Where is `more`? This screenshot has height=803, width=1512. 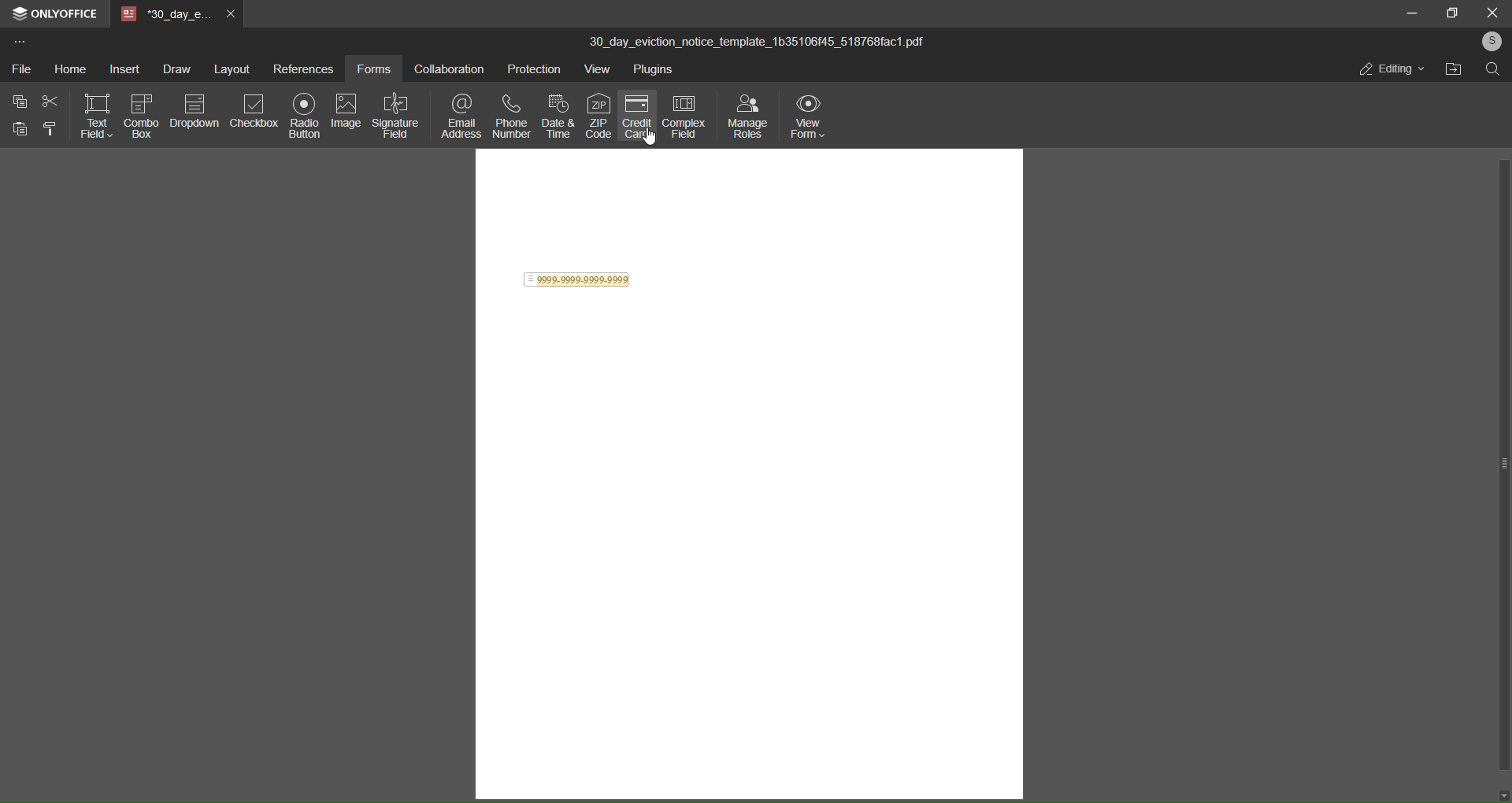
more is located at coordinates (18, 41).